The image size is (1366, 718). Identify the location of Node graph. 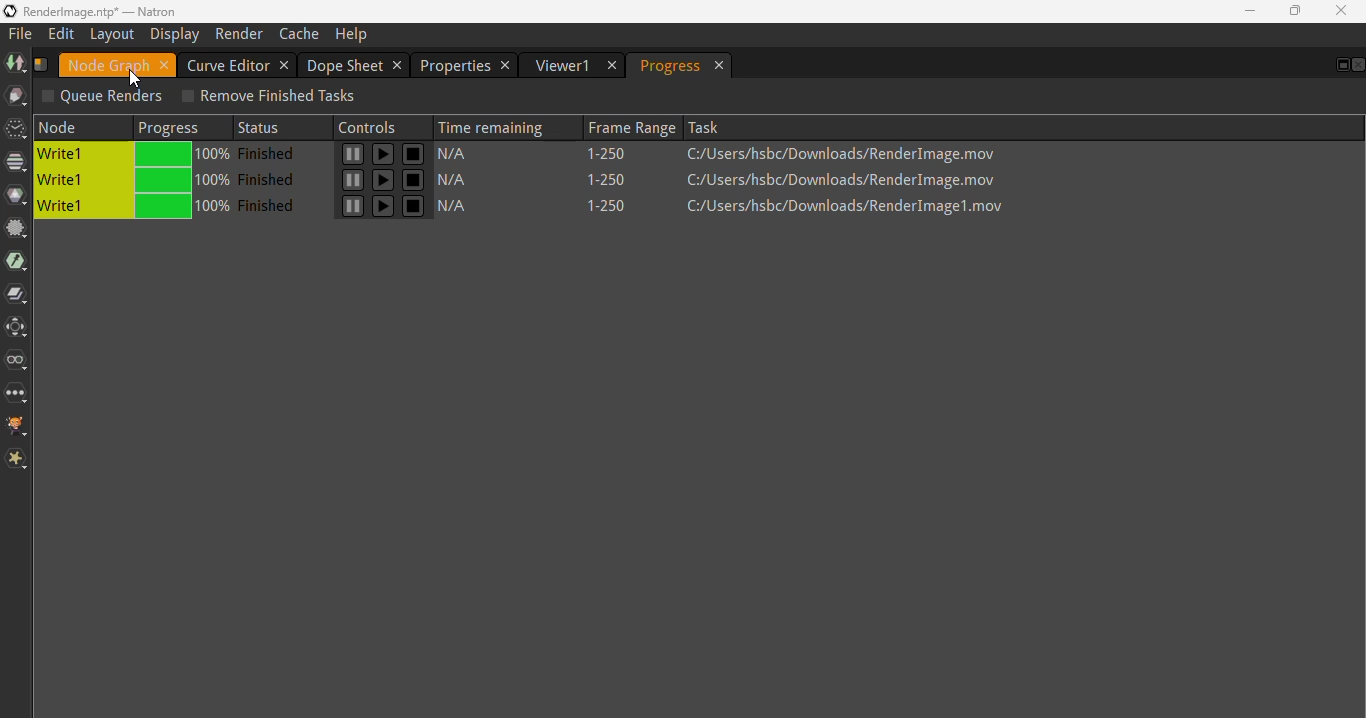
(108, 65).